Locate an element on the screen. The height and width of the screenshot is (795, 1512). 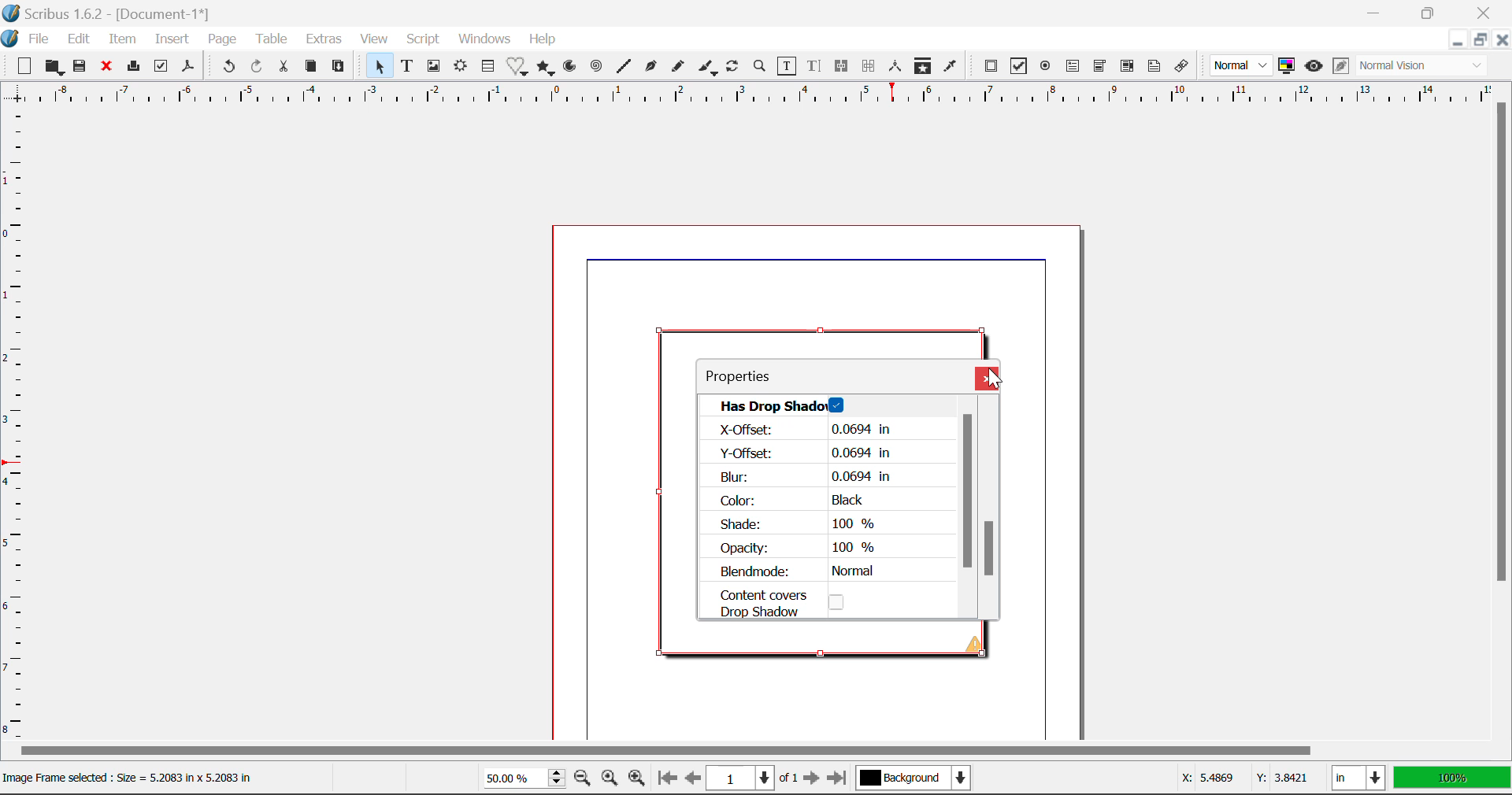
Undo is located at coordinates (226, 66).